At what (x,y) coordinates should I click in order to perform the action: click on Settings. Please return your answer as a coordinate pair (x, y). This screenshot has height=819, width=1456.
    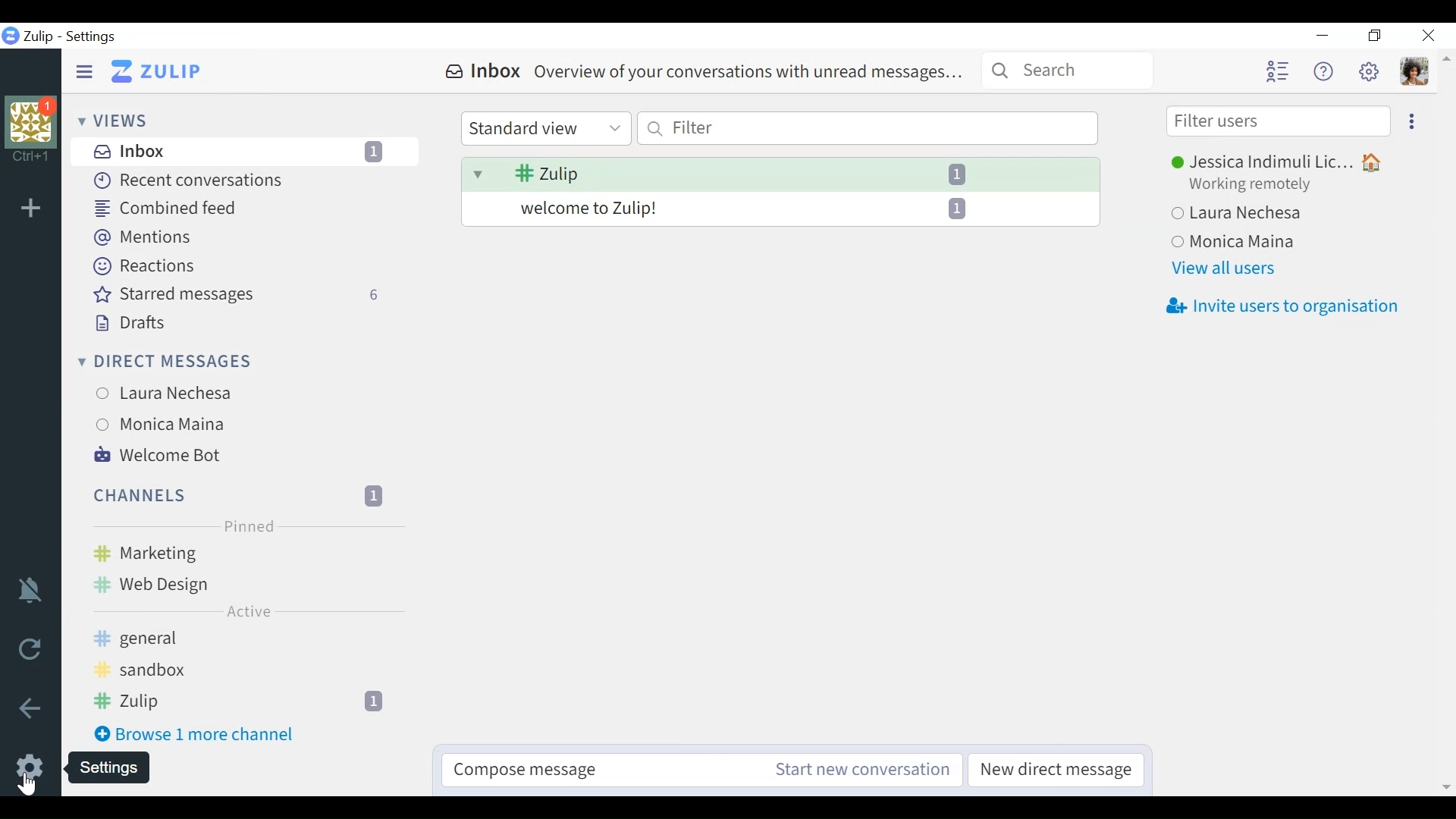
    Looking at the image, I should click on (93, 37).